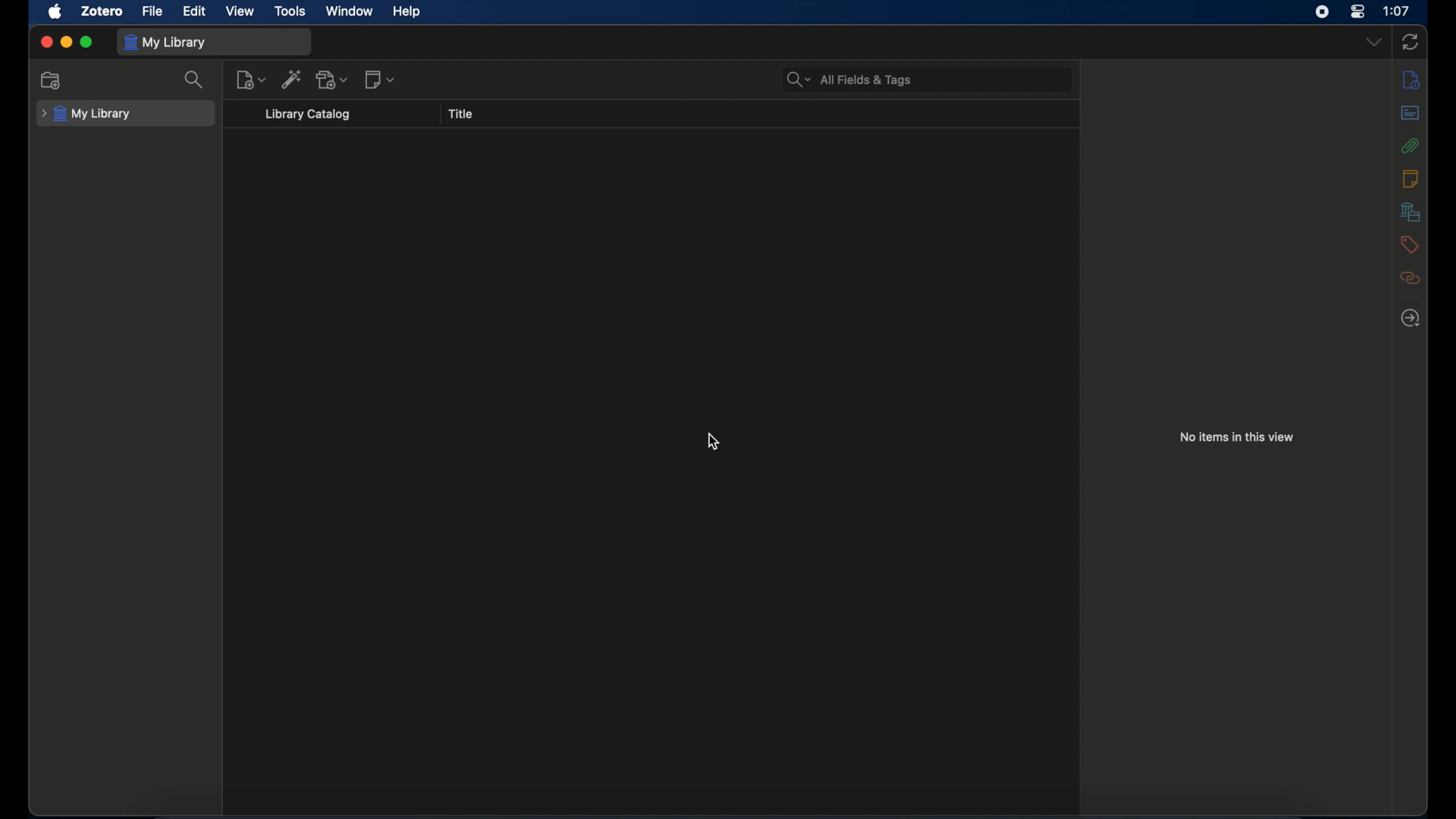 This screenshot has width=1456, height=819. Describe the element at coordinates (1410, 113) in the screenshot. I see `abstract` at that location.